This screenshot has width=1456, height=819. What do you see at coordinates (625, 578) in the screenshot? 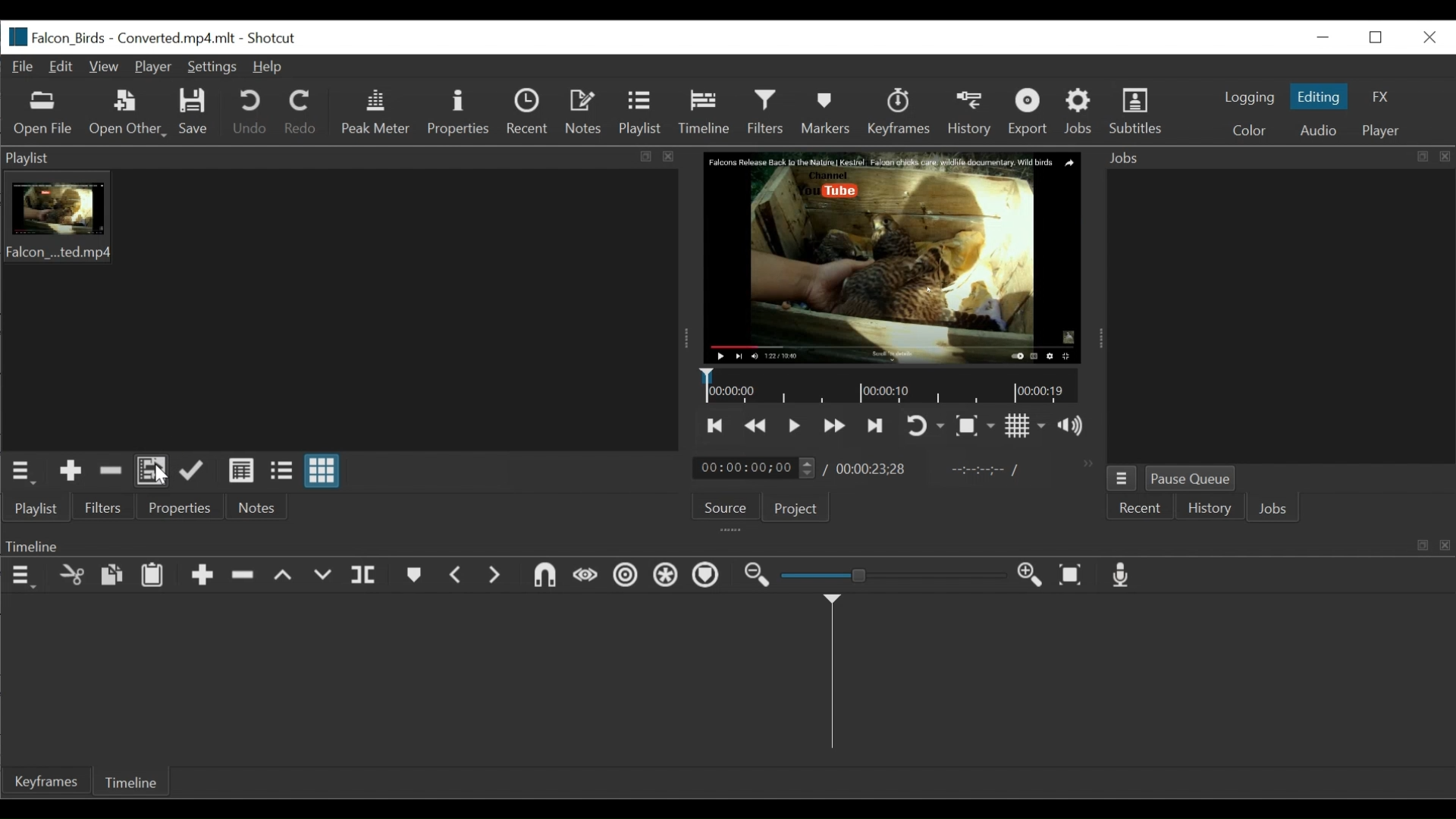
I see `Ripple` at bounding box center [625, 578].